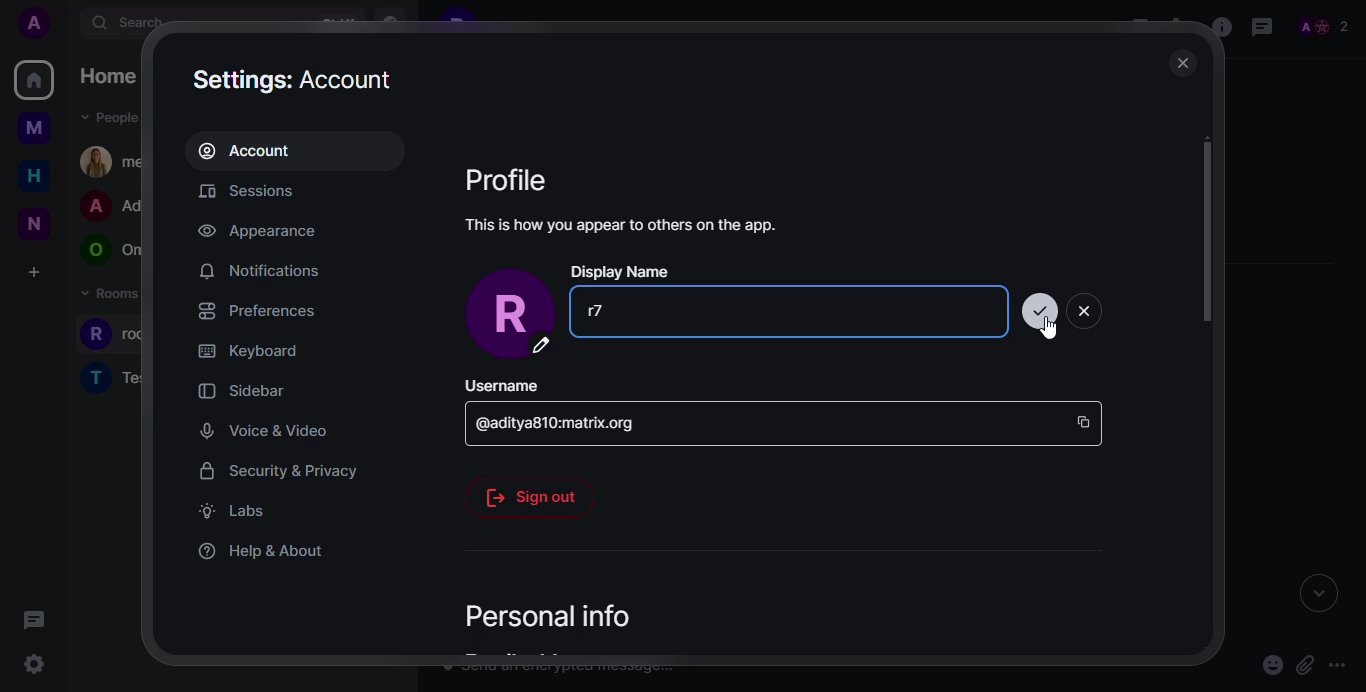 This screenshot has height=692, width=1366. What do you see at coordinates (127, 23) in the screenshot?
I see `search` at bounding box center [127, 23].